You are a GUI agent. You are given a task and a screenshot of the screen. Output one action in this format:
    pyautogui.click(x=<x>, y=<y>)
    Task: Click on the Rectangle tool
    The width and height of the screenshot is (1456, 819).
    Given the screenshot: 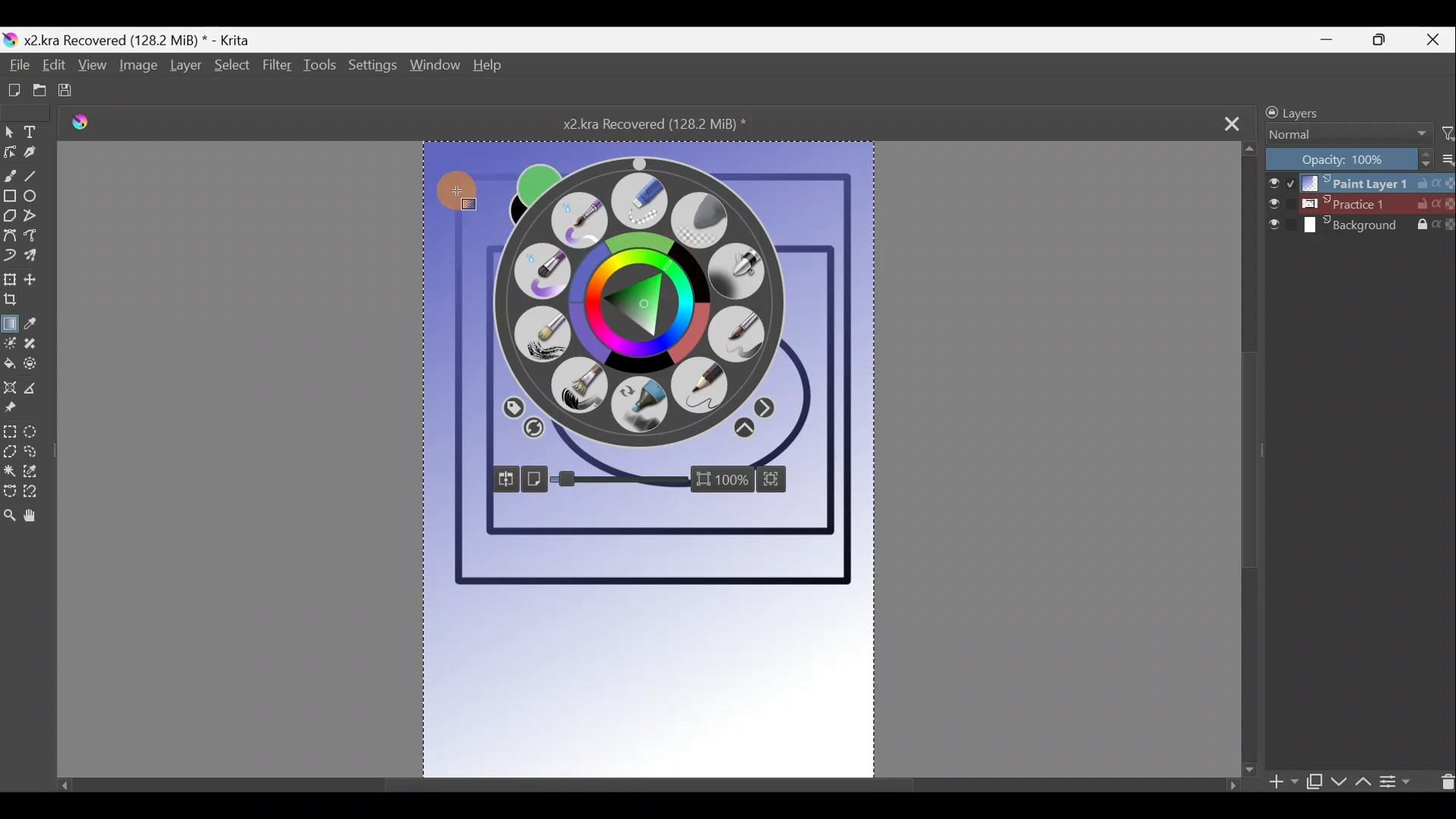 What is the action you would take?
    pyautogui.click(x=9, y=198)
    